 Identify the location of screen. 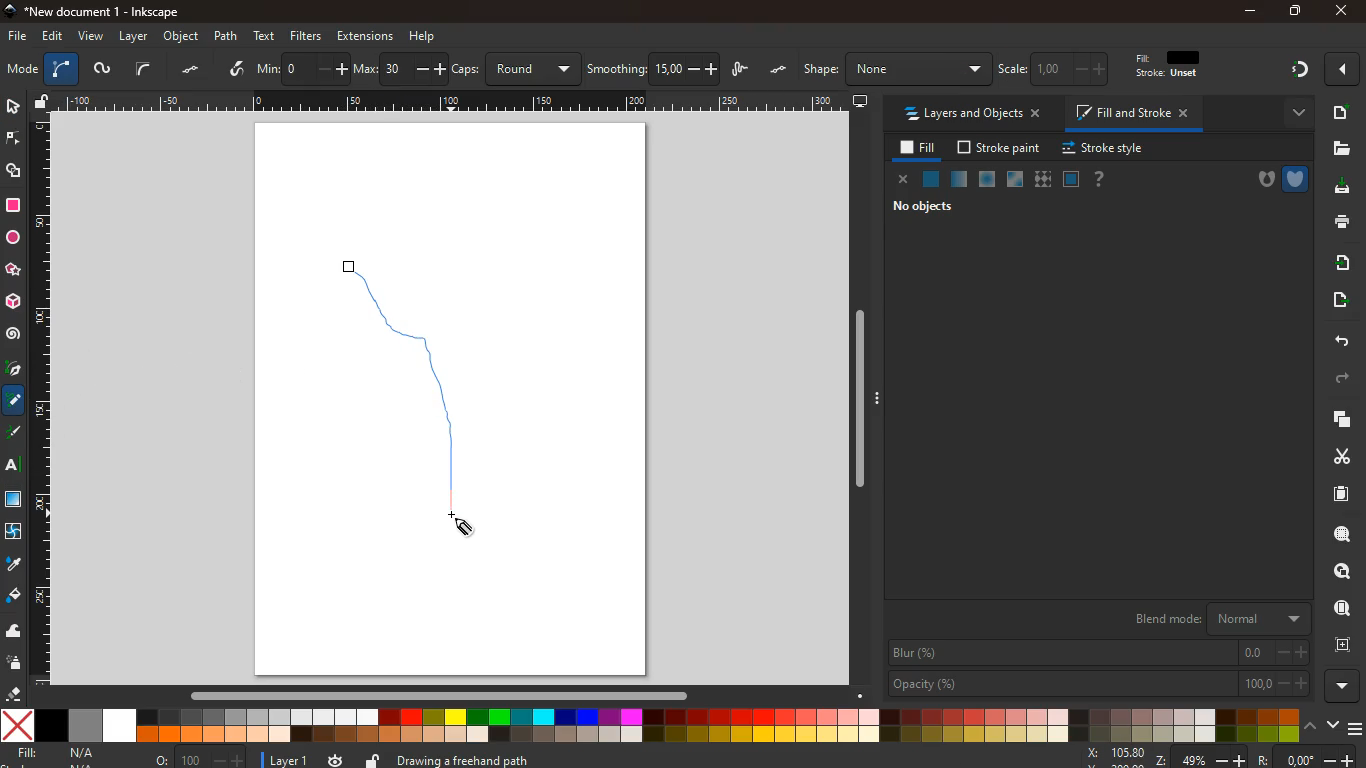
(20, 69).